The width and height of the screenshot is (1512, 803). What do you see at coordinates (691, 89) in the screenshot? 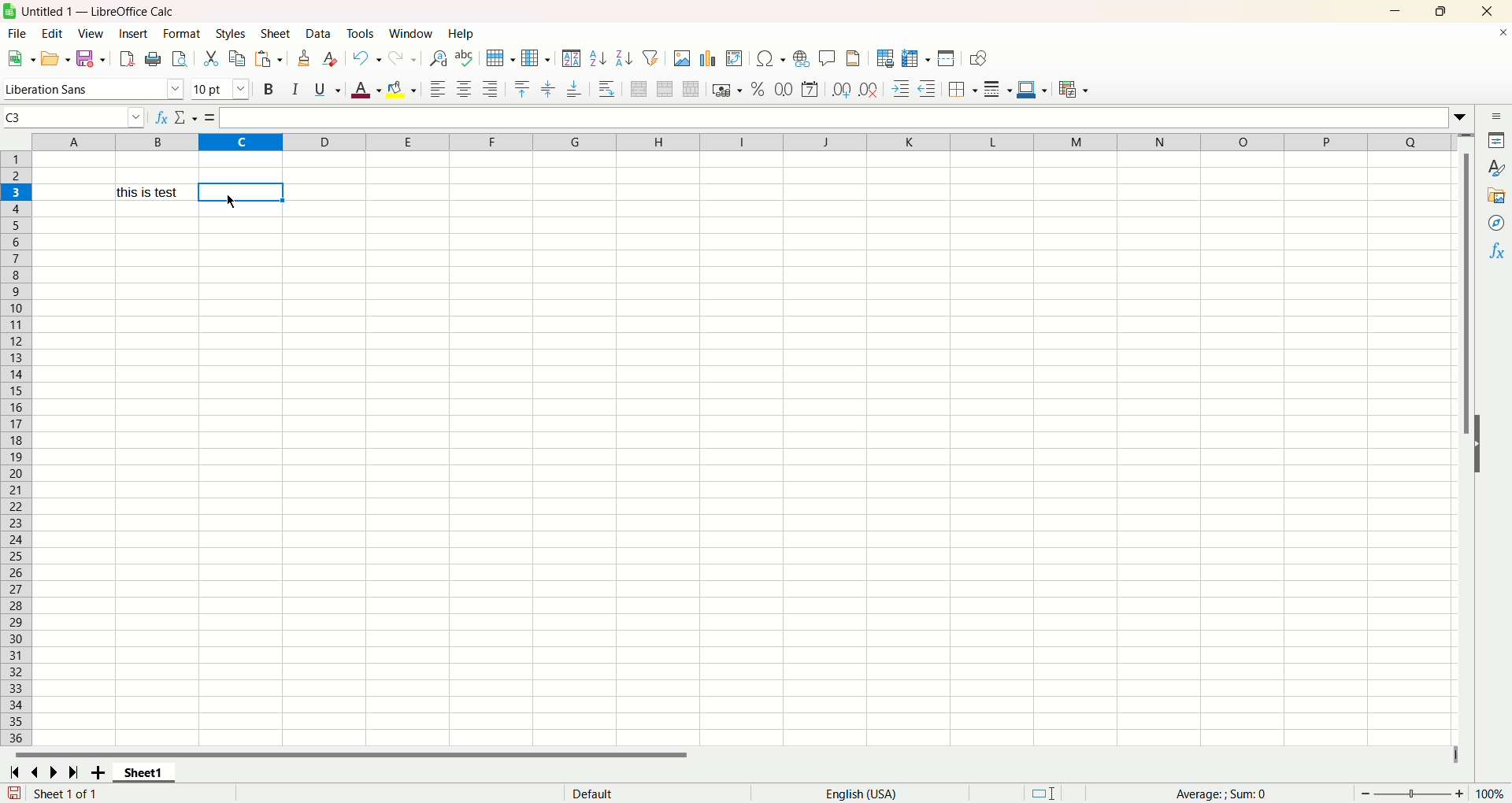
I see `unmerge` at bounding box center [691, 89].